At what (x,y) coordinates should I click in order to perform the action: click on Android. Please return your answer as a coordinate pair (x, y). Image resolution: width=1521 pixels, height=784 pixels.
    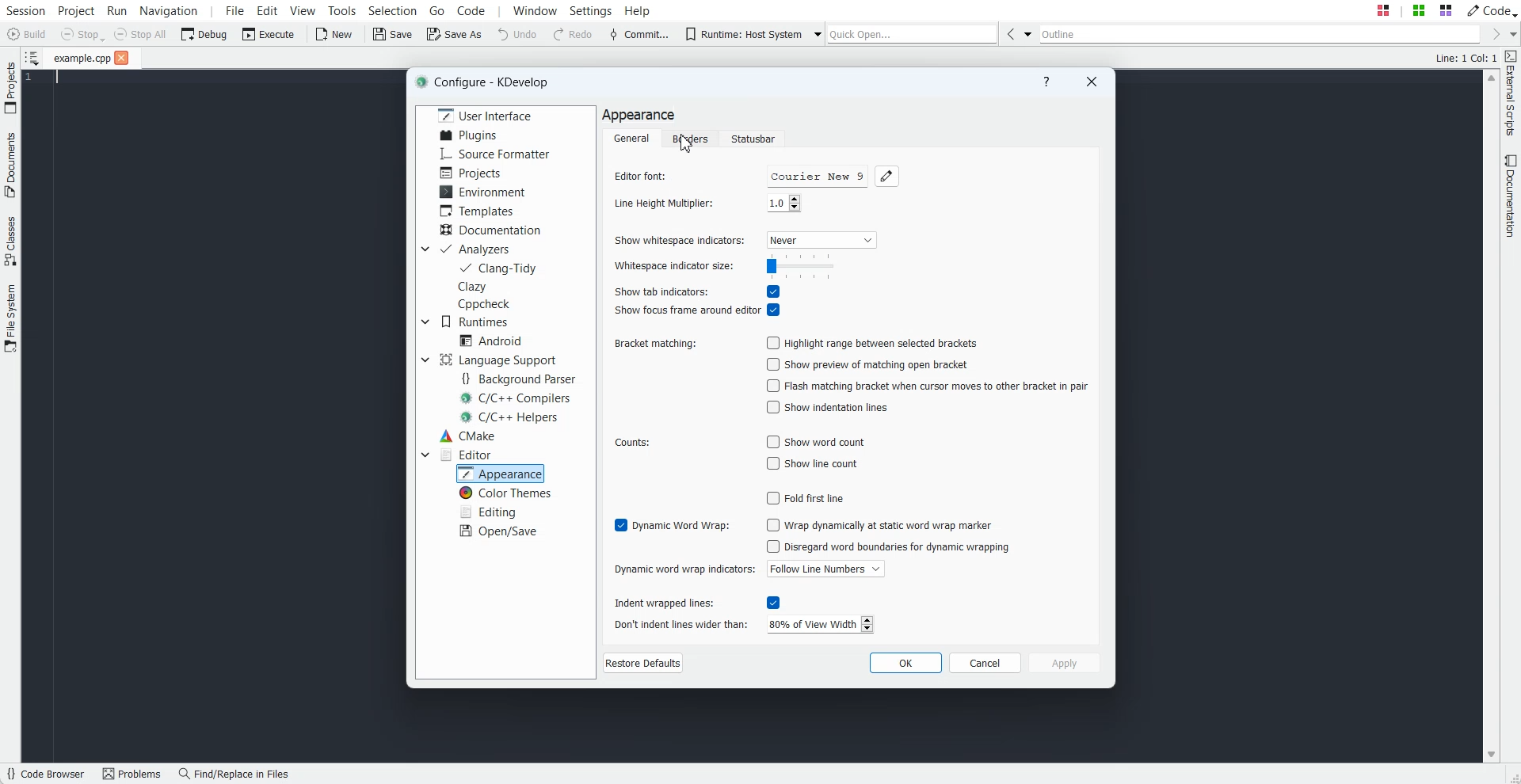
    Looking at the image, I should click on (491, 341).